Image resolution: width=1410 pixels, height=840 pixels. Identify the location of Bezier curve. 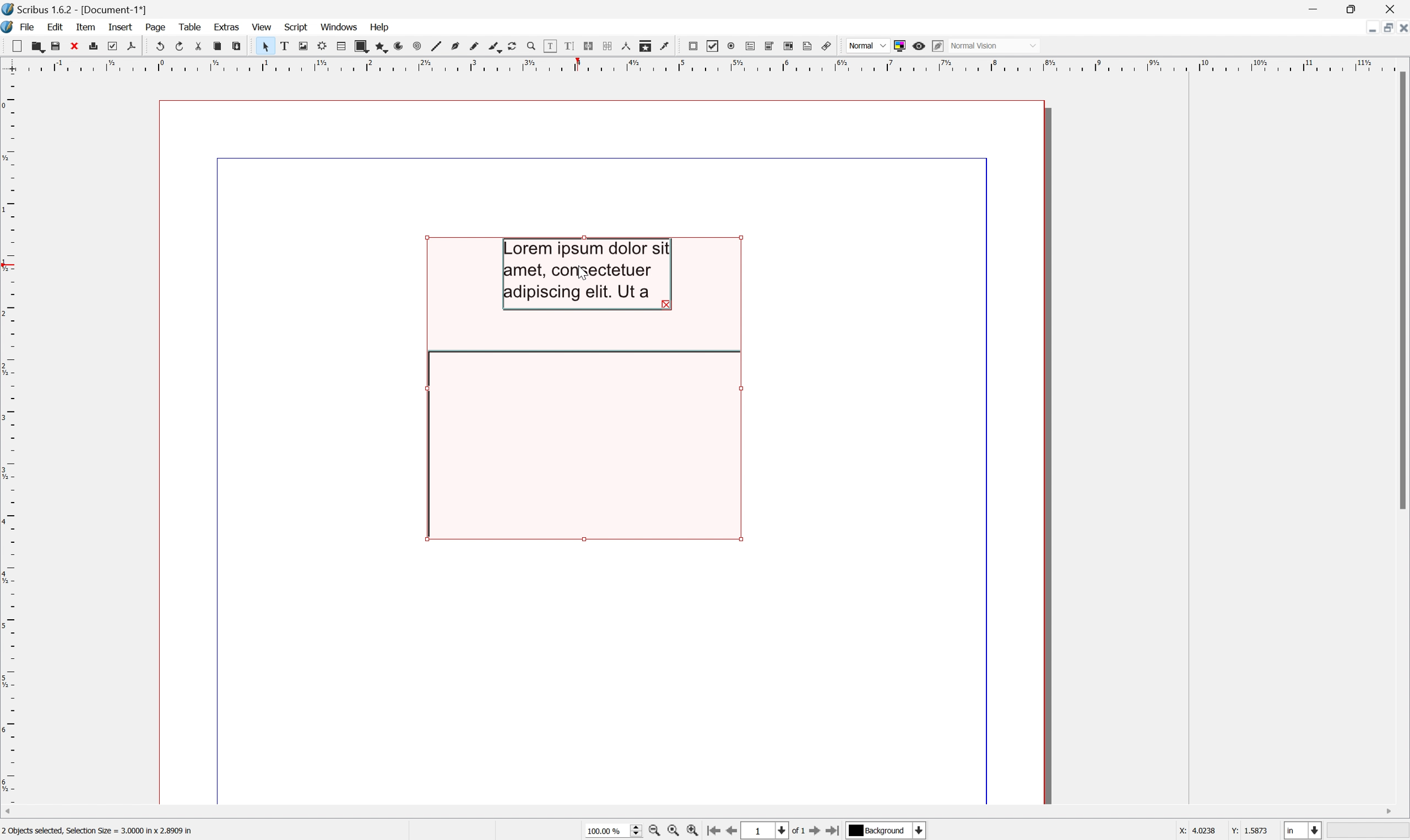
(452, 48).